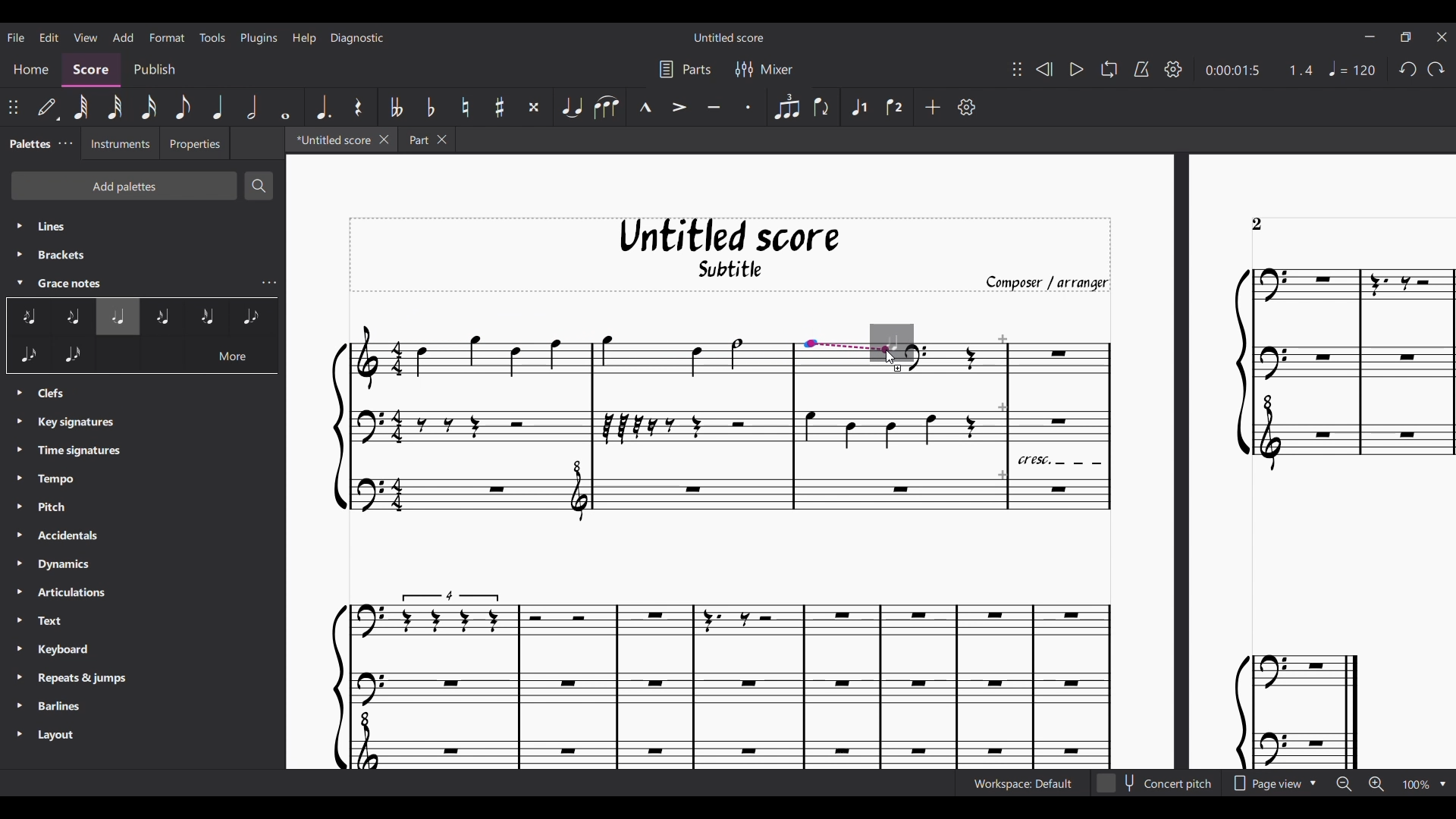  What do you see at coordinates (678, 106) in the screenshot?
I see `Accent` at bounding box center [678, 106].